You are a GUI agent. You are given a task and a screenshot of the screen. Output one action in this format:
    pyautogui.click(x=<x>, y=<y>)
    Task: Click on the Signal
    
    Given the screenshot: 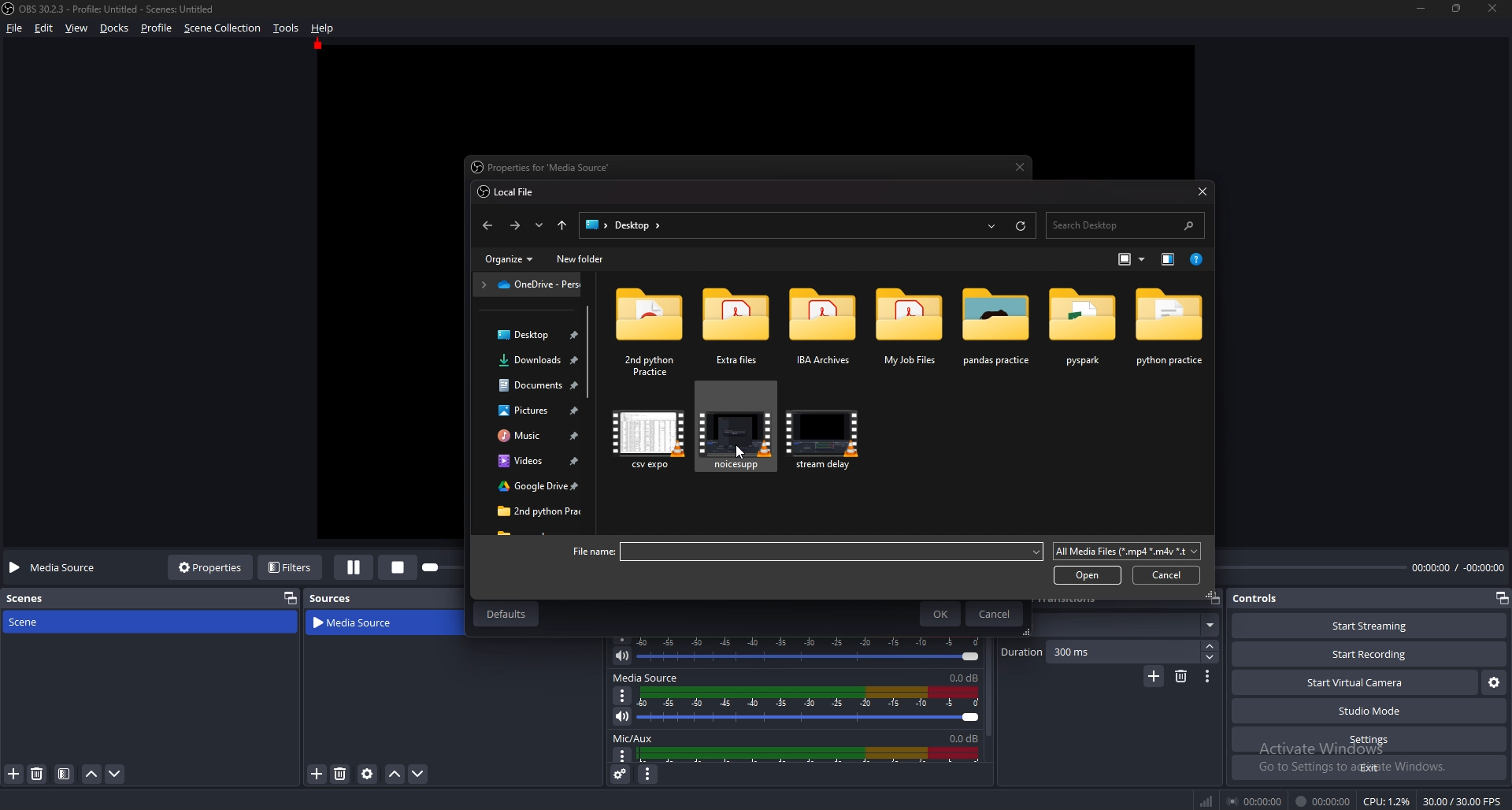 What is the action you would take?
    pyautogui.click(x=1206, y=801)
    